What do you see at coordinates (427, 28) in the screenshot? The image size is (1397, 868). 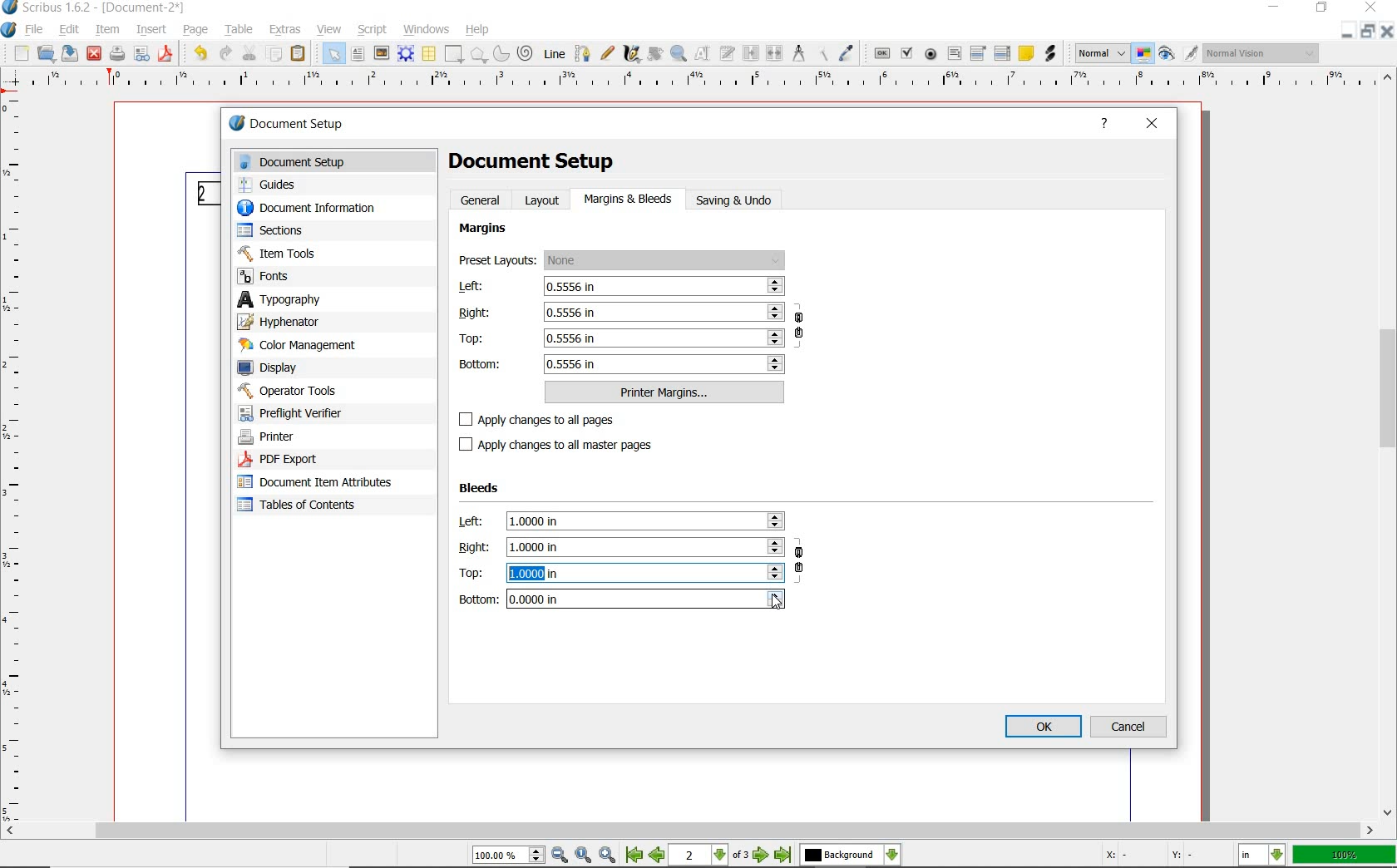 I see `windows` at bounding box center [427, 28].